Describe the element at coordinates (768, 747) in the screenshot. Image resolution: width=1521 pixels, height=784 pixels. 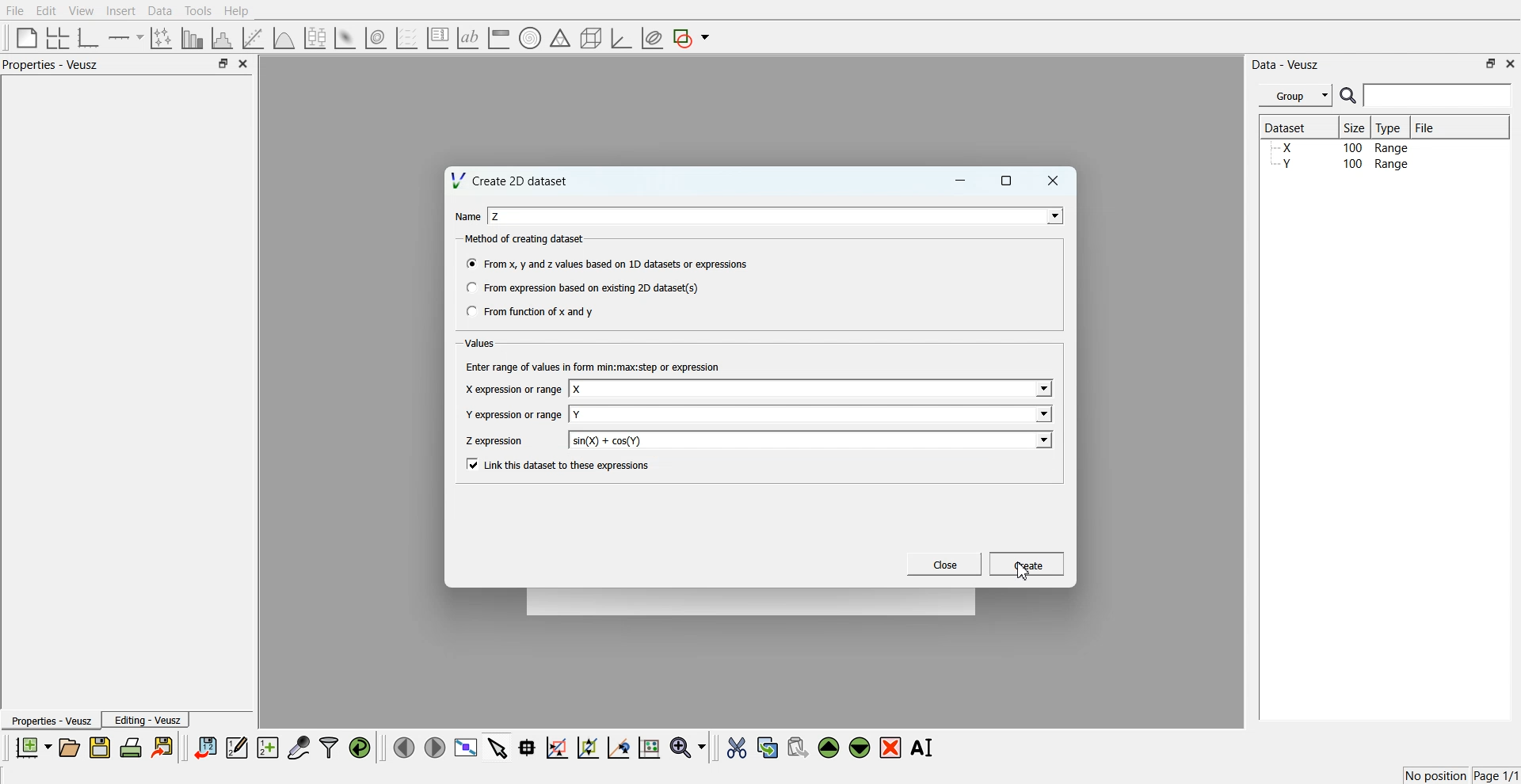
I see `Copy the selected widget` at that location.